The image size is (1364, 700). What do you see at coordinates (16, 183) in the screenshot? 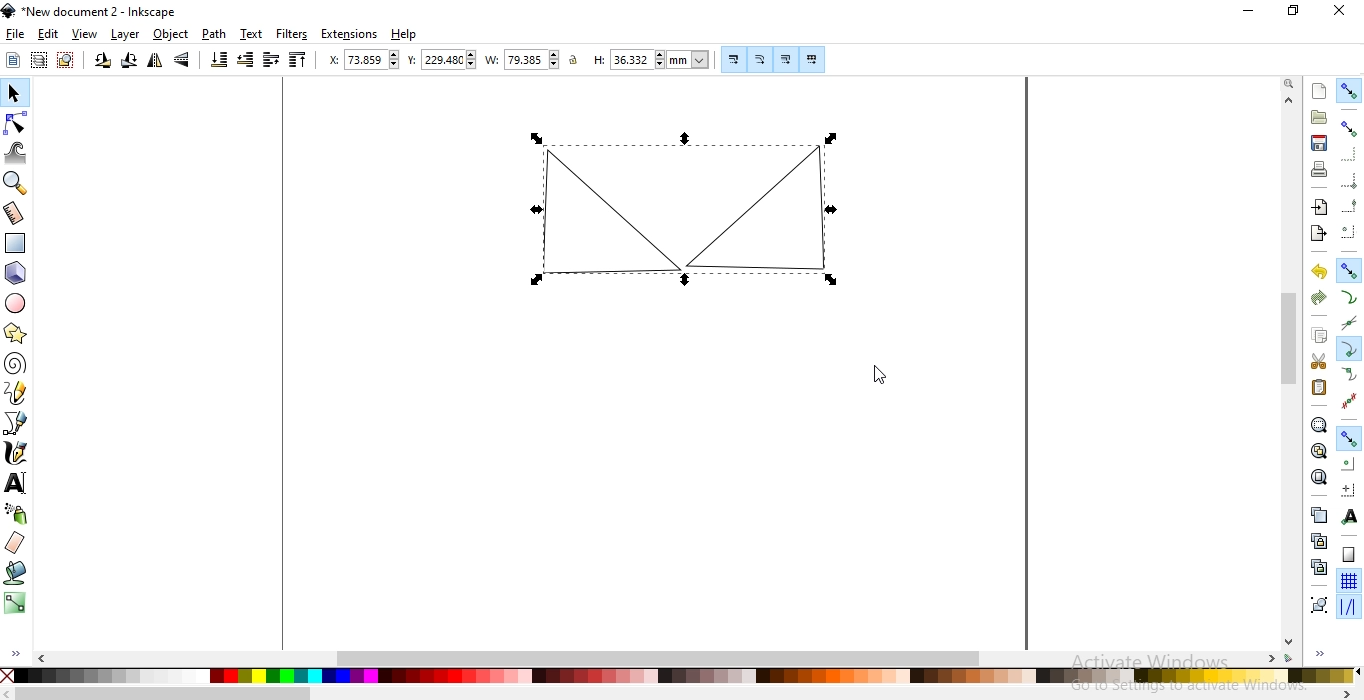
I see `zoom in or out` at bounding box center [16, 183].